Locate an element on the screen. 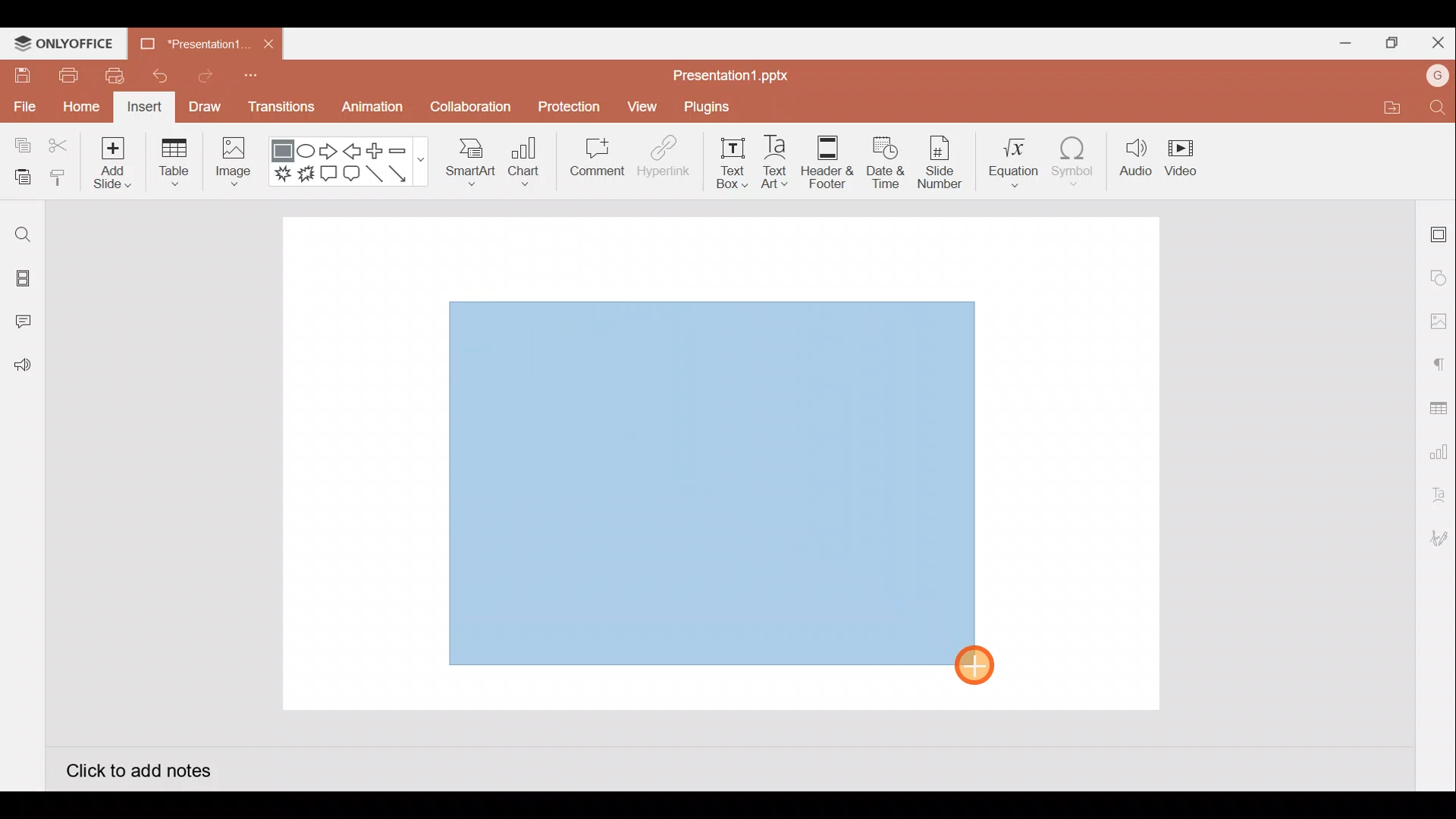 This screenshot has width=1456, height=819. Copy is located at coordinates (20, 146).